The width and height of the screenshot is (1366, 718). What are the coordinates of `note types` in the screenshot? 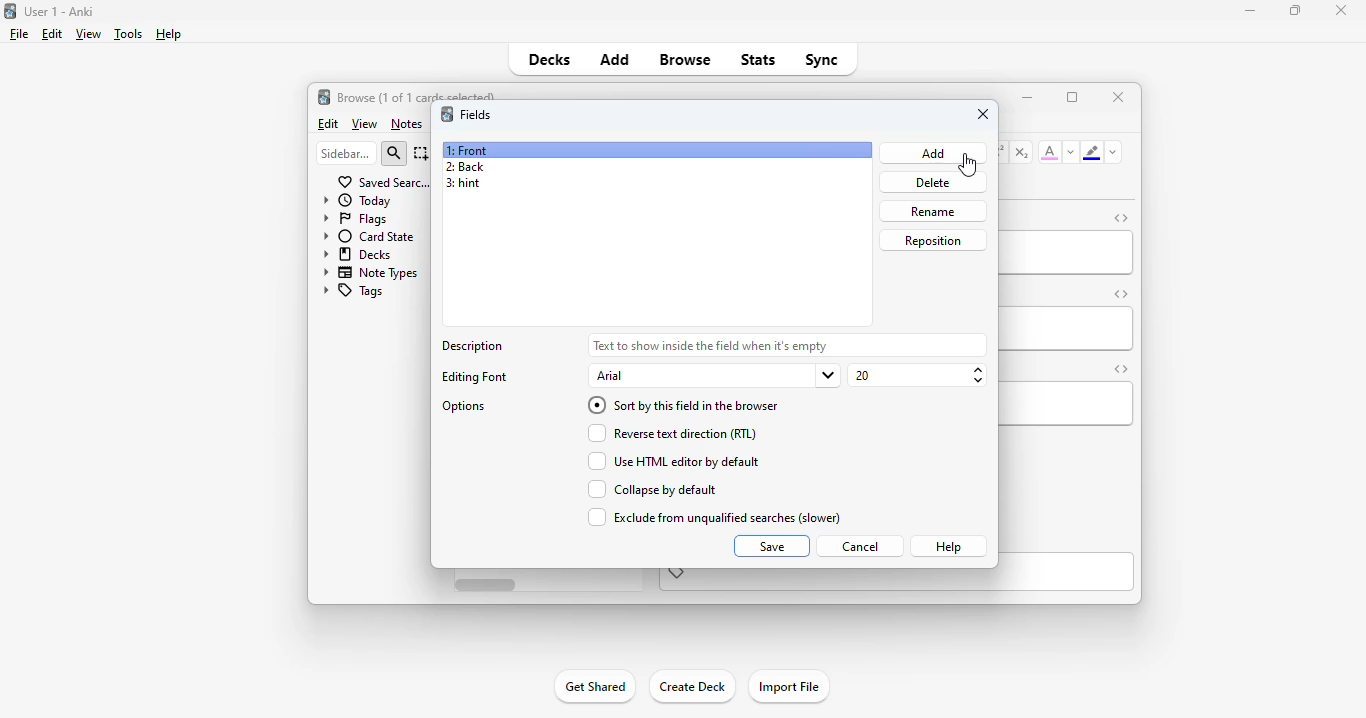 It's located at (371, 272).